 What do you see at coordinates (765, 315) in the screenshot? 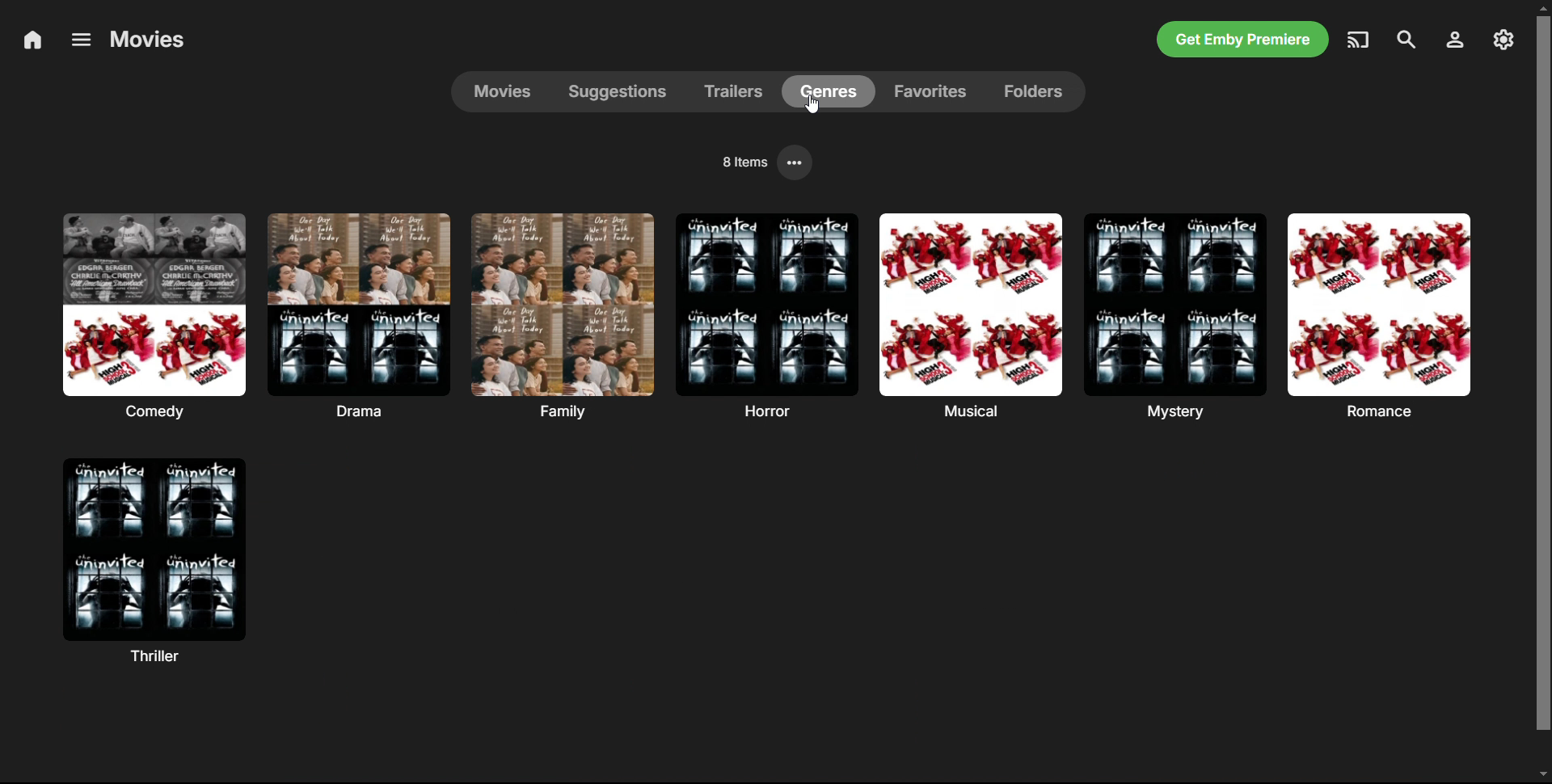
I see `horror` at bounding box center [765, 315].